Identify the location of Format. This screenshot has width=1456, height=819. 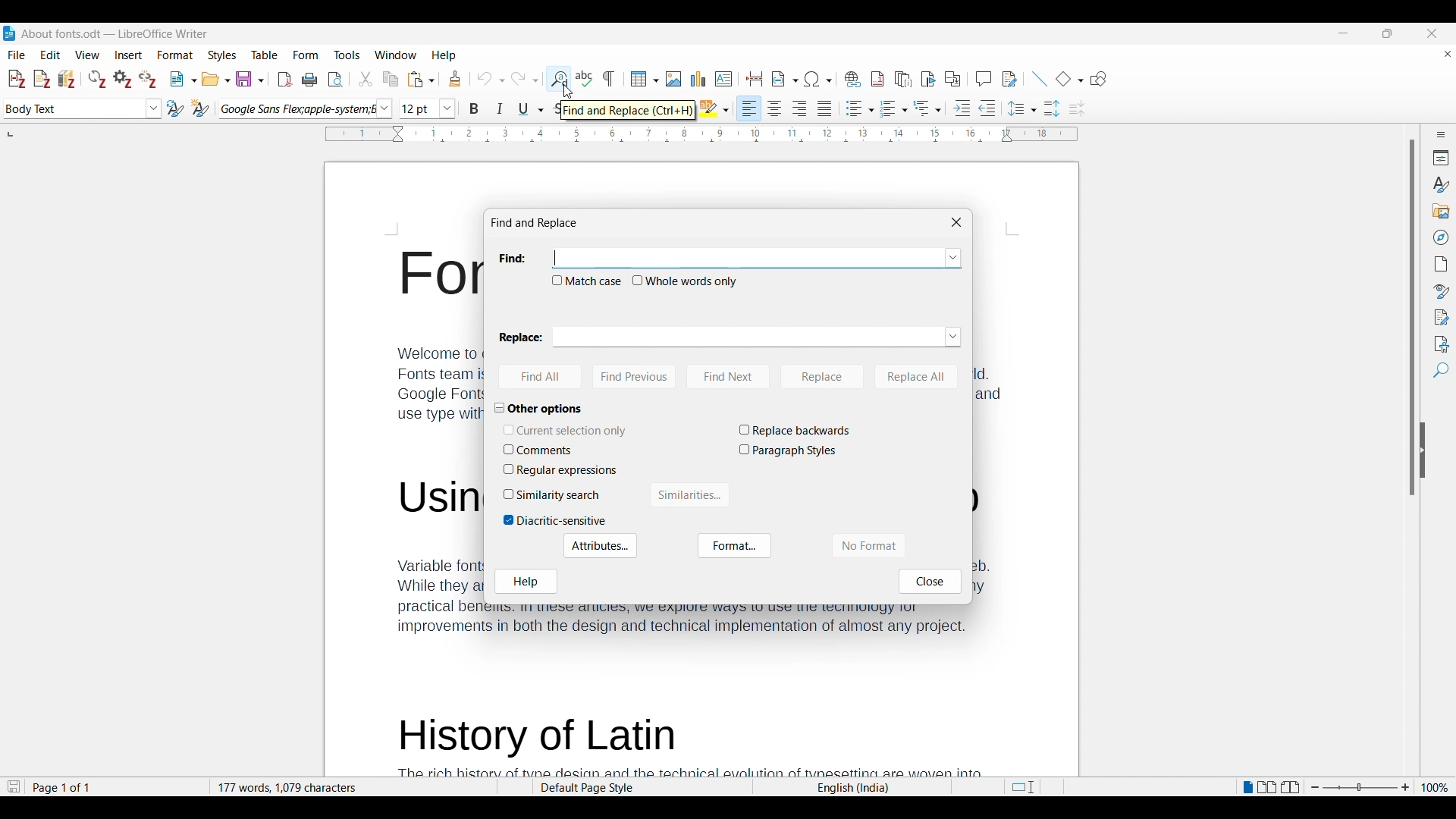
(735, 545).